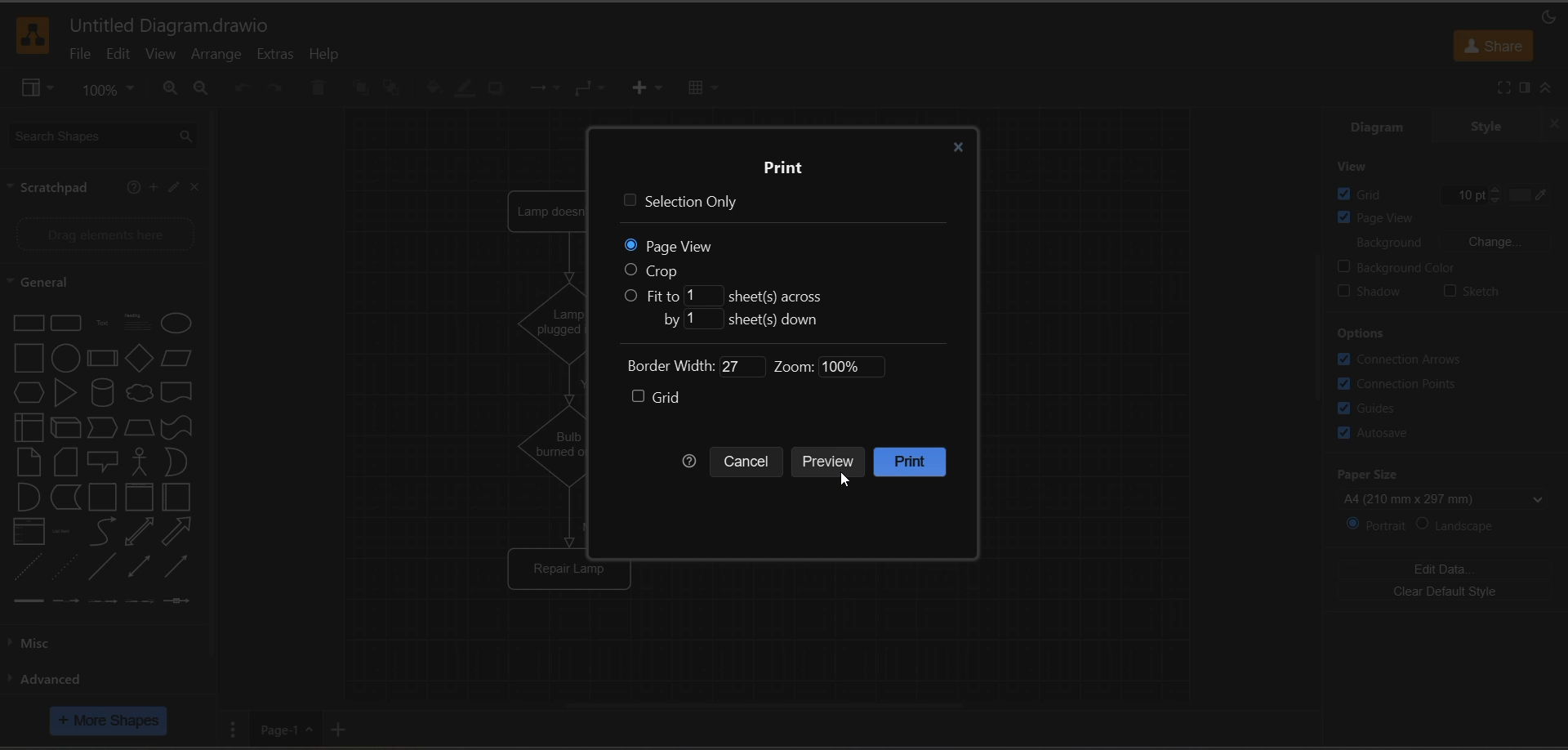  Describe the element at coordinates (345, 730) in the screenshot. I see `add page` at that location.